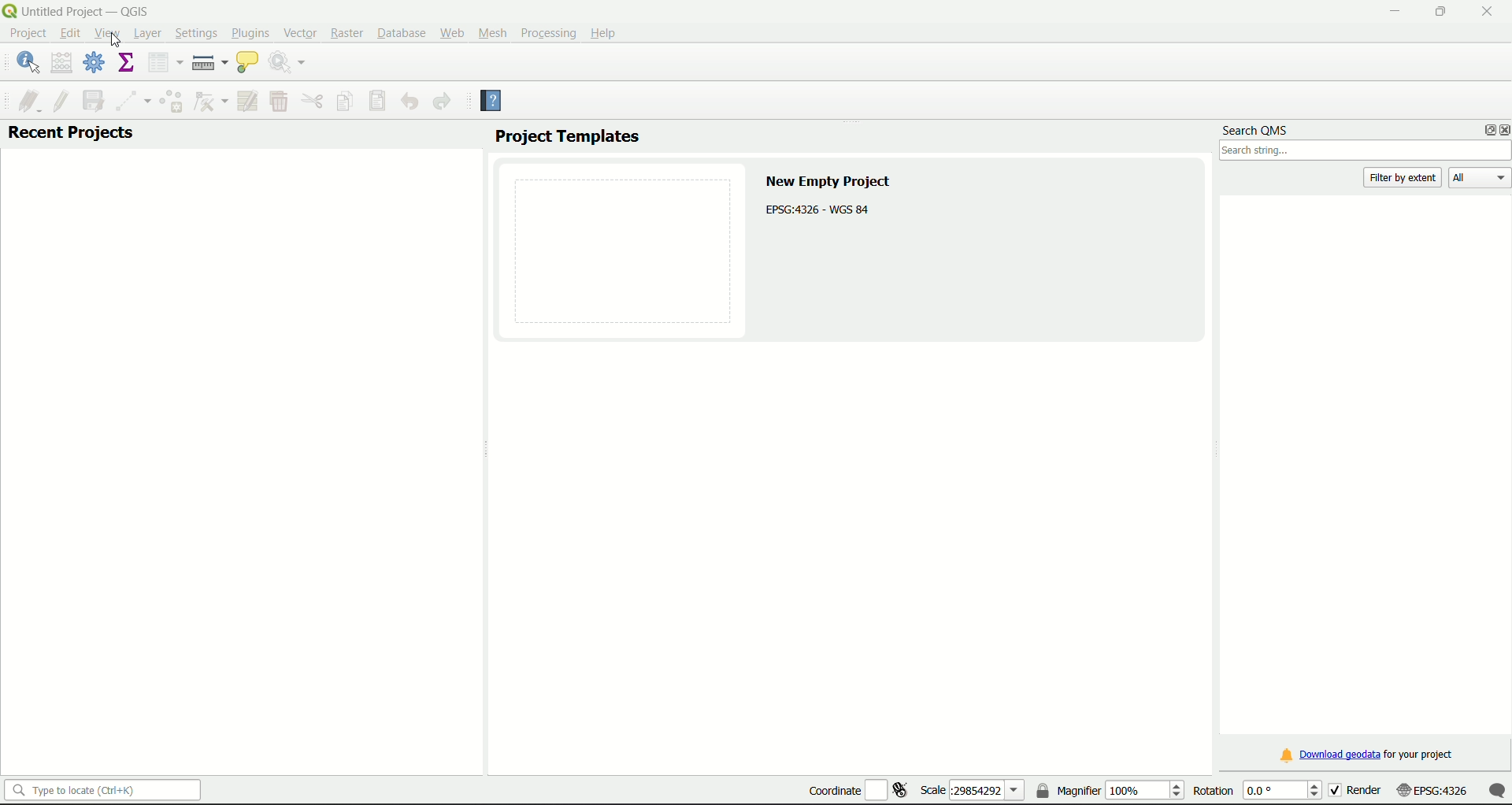 This screenshot has width=1512, height=805. I want to click on filter by extent, so click(1404, 176).